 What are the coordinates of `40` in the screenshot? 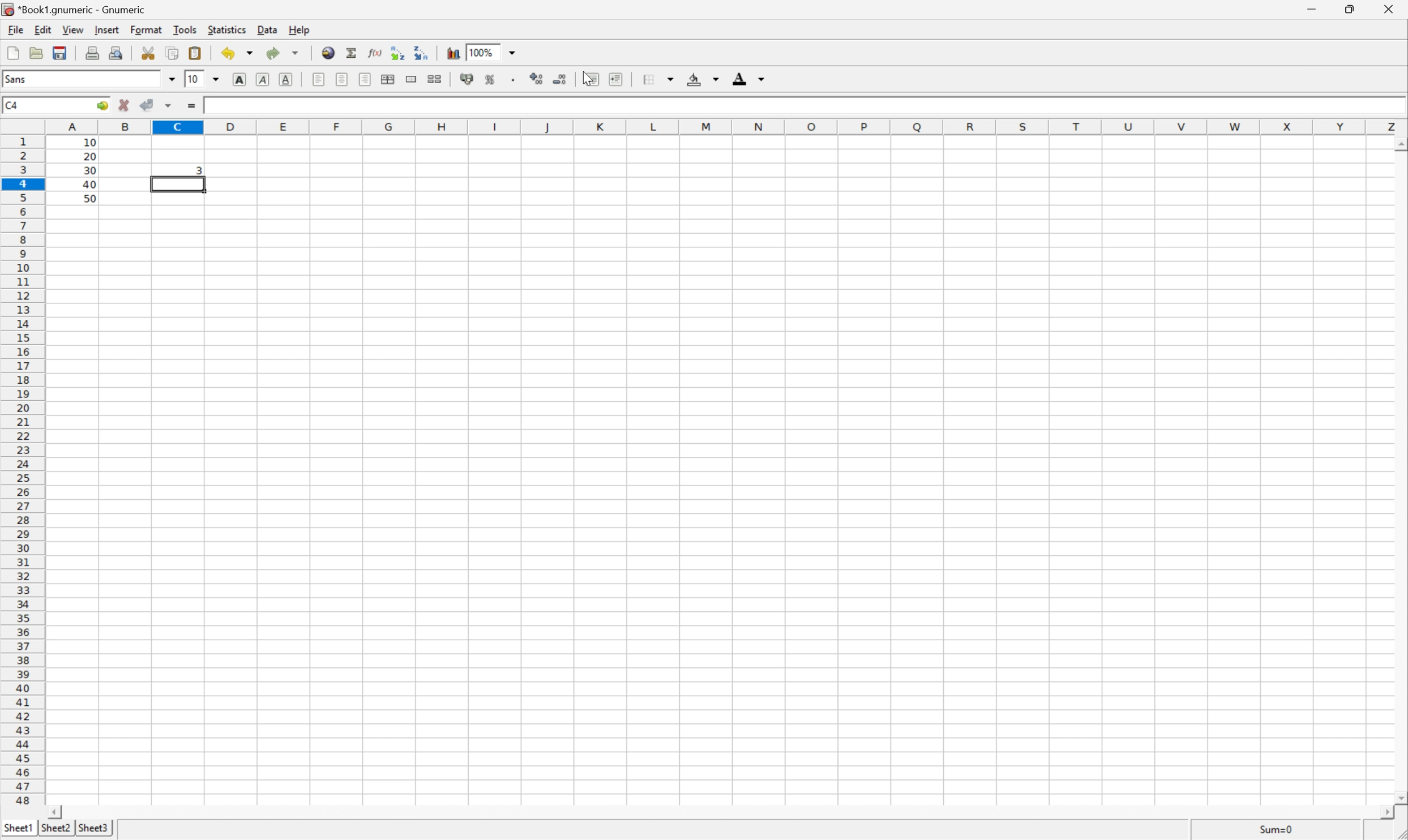 It's located at (89, 183).